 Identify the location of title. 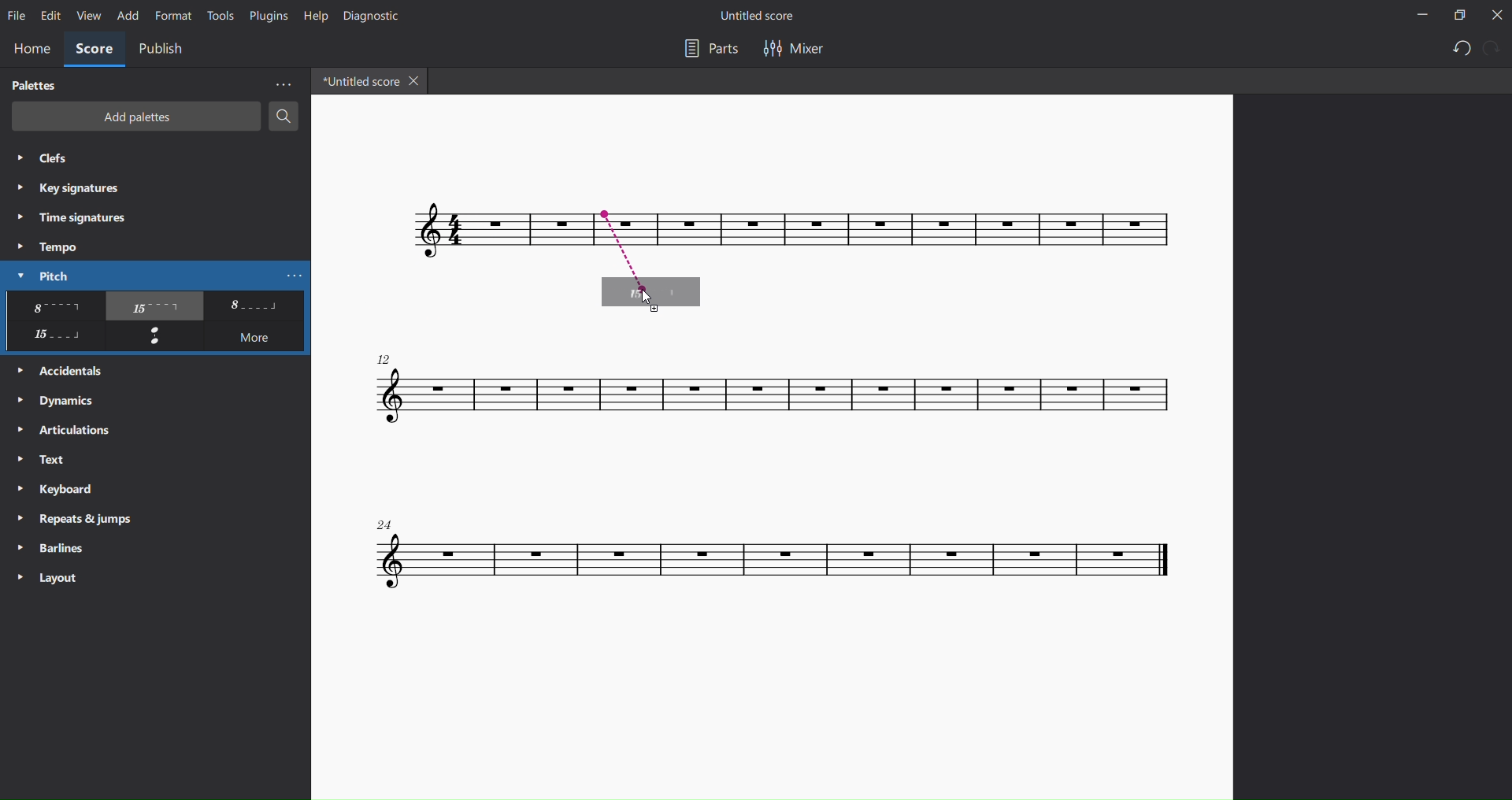
(358, 80).